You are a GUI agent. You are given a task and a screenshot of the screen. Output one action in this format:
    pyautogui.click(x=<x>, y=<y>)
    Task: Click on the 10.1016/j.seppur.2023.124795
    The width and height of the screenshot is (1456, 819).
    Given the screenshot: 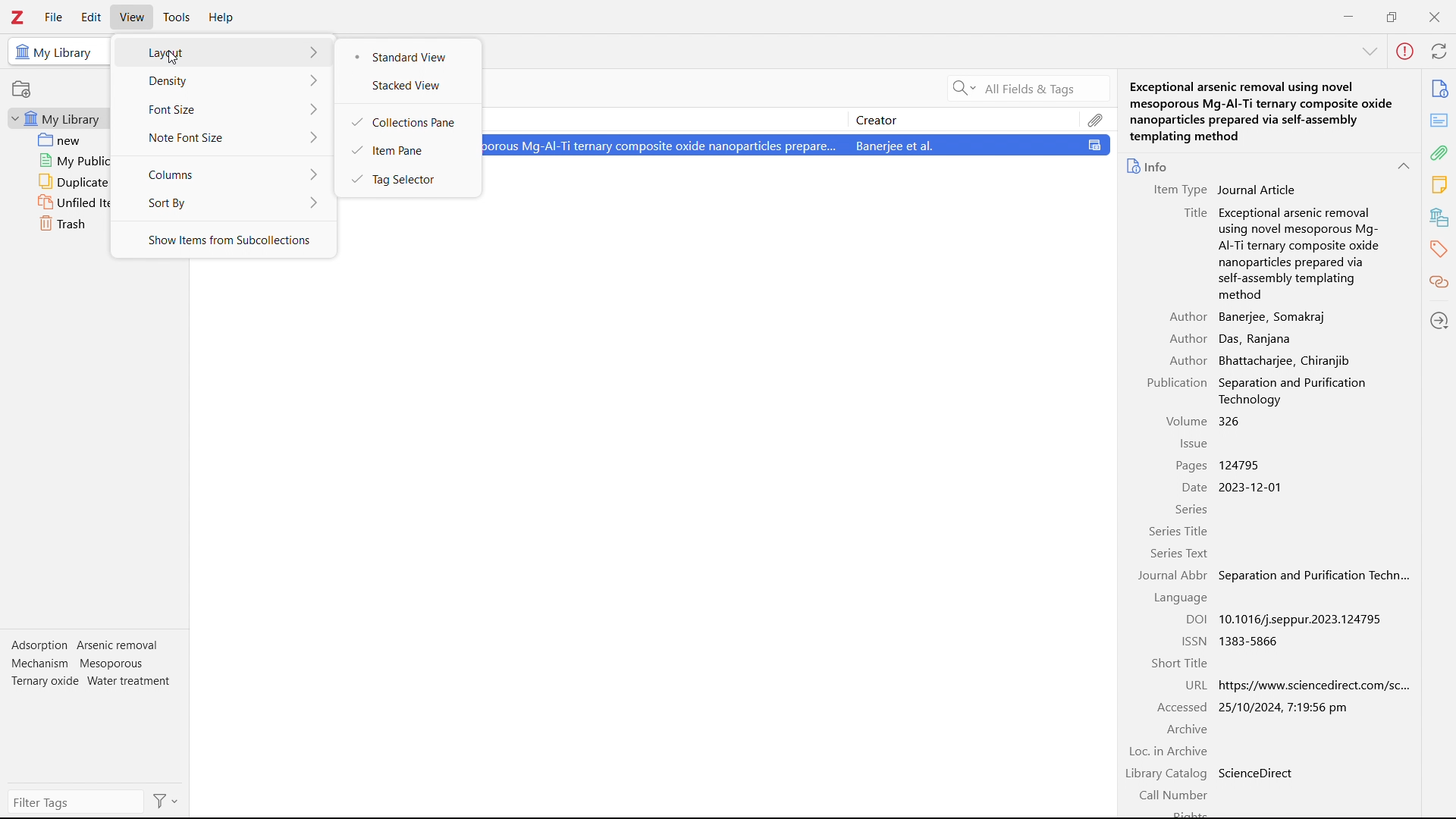 What is the action you would take?
    pyautogui.click(x=1306, y=620)
    